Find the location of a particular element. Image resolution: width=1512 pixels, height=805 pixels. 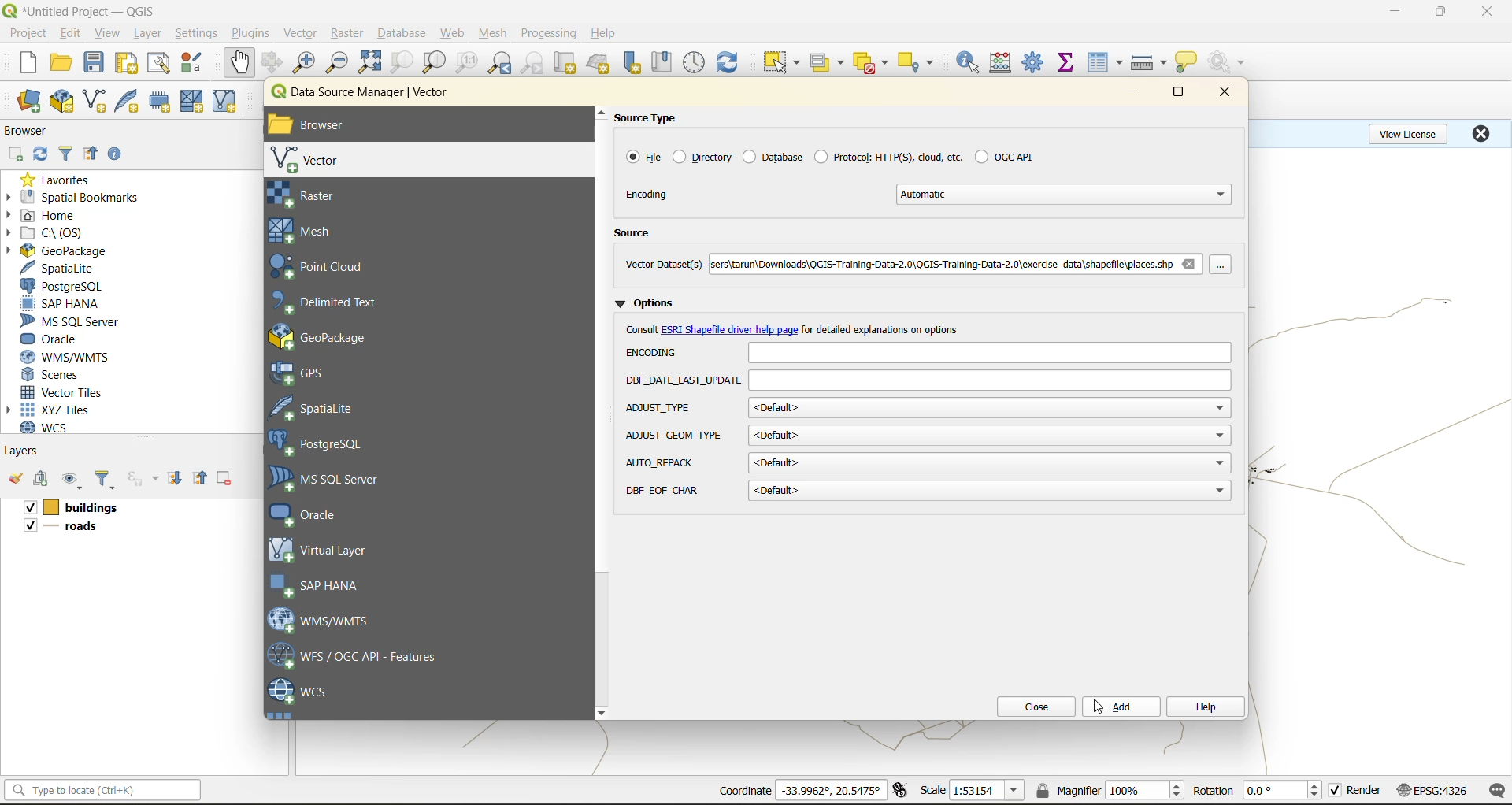

select value is located at coordinates (830, 65).